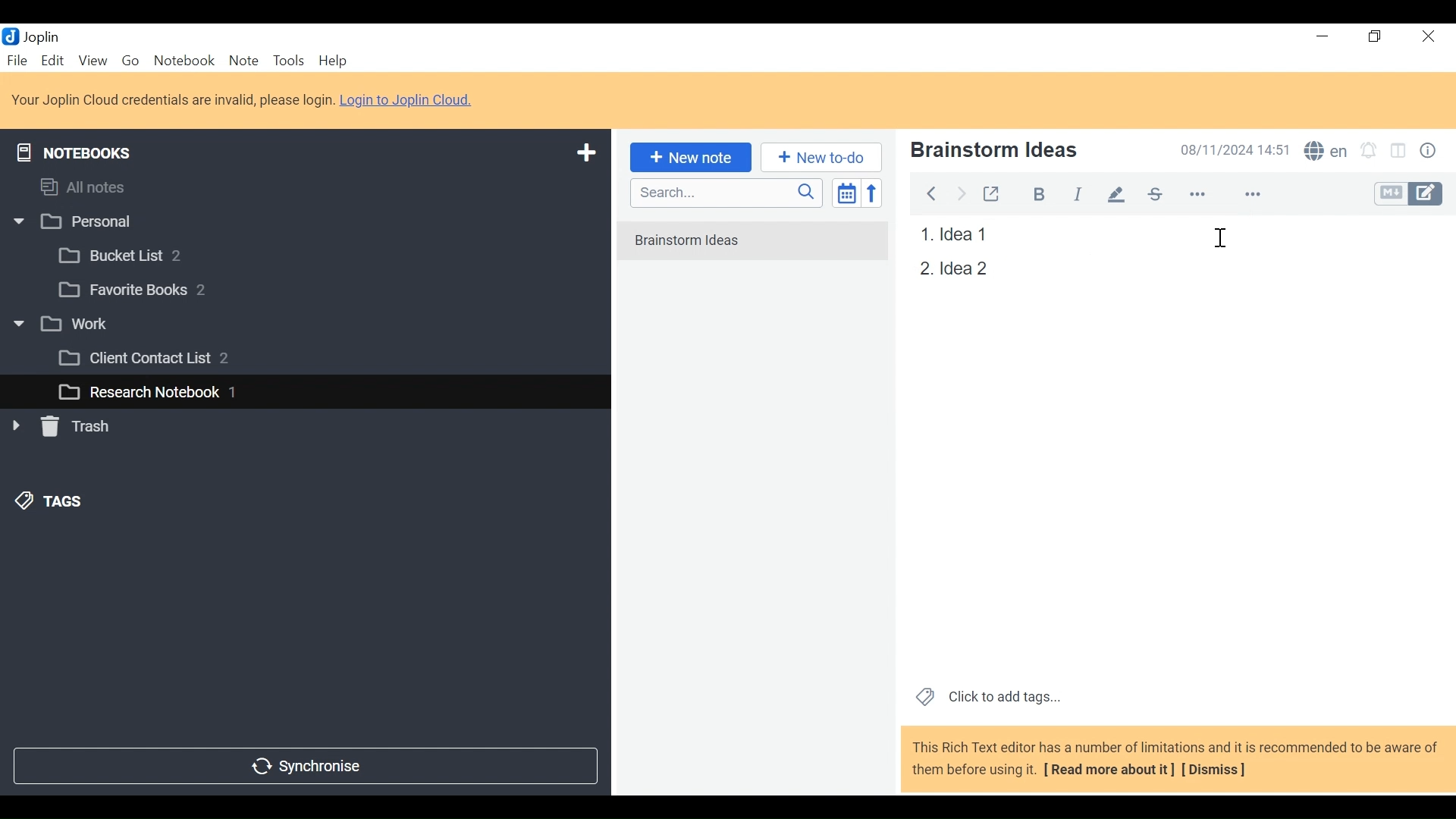  I want to click on pen, so click(1116, 190).